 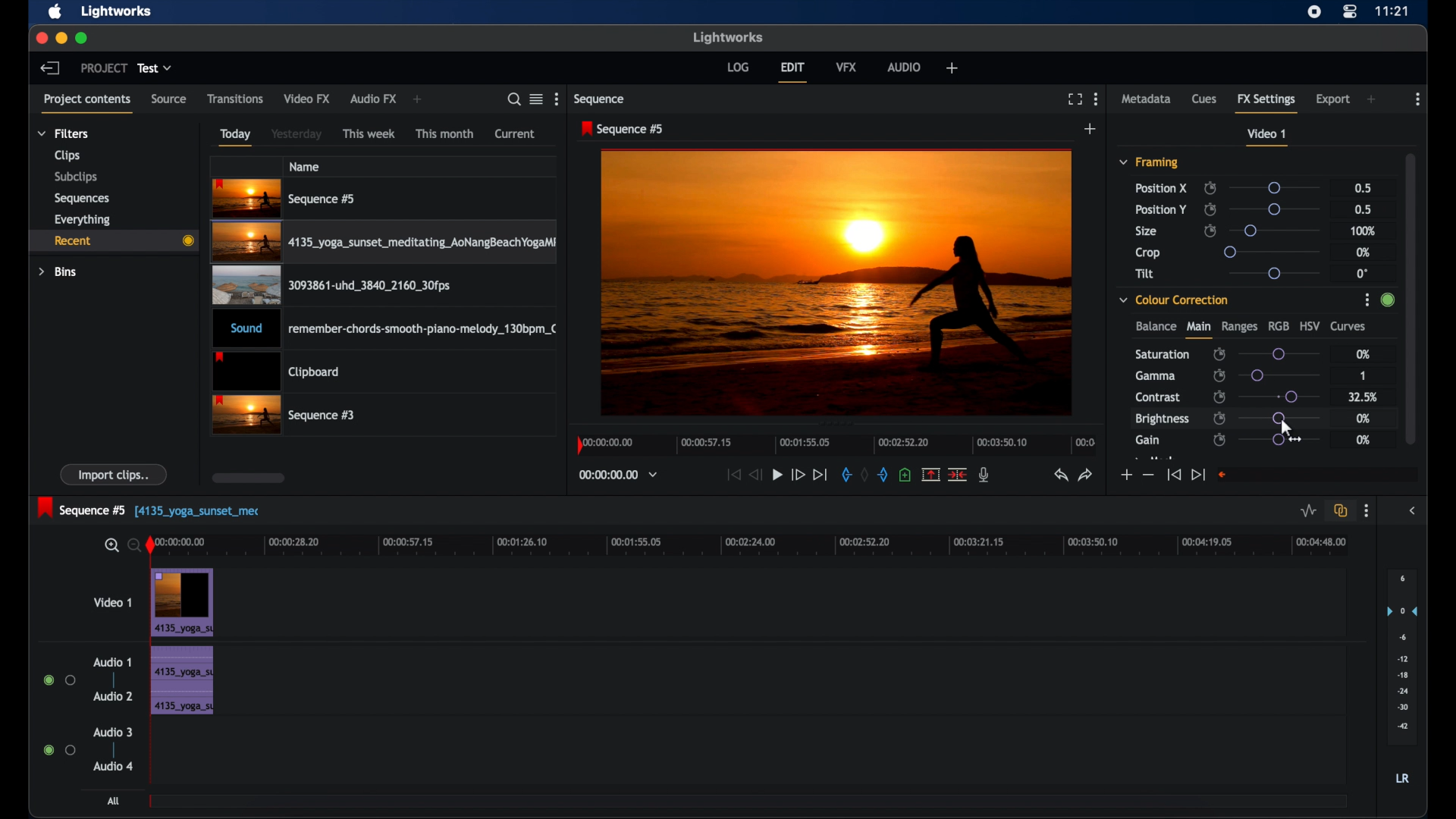 I want to click on jump to start, so click(x=1173, y=474).